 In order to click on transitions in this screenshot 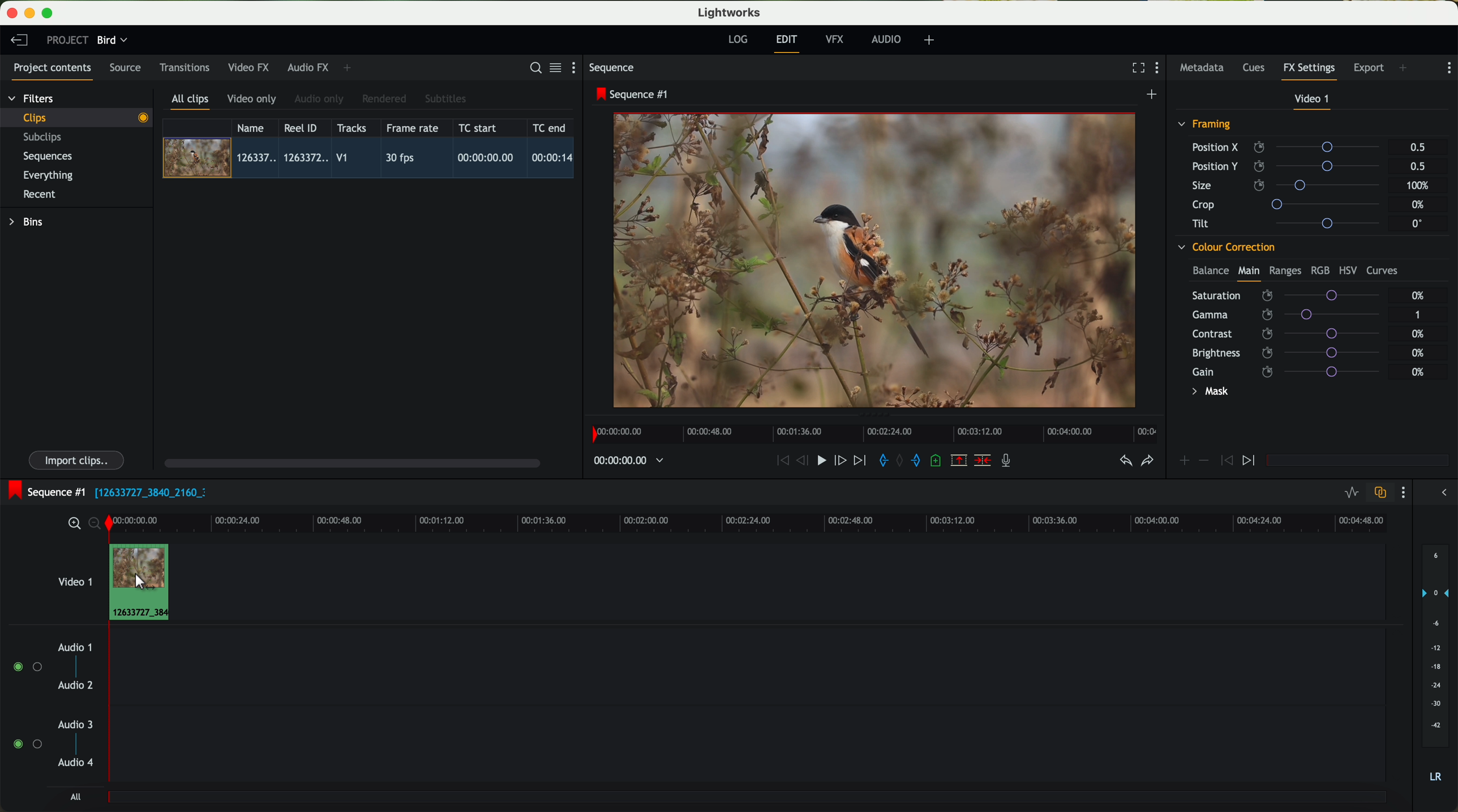, I will do `click(184, 67)`.